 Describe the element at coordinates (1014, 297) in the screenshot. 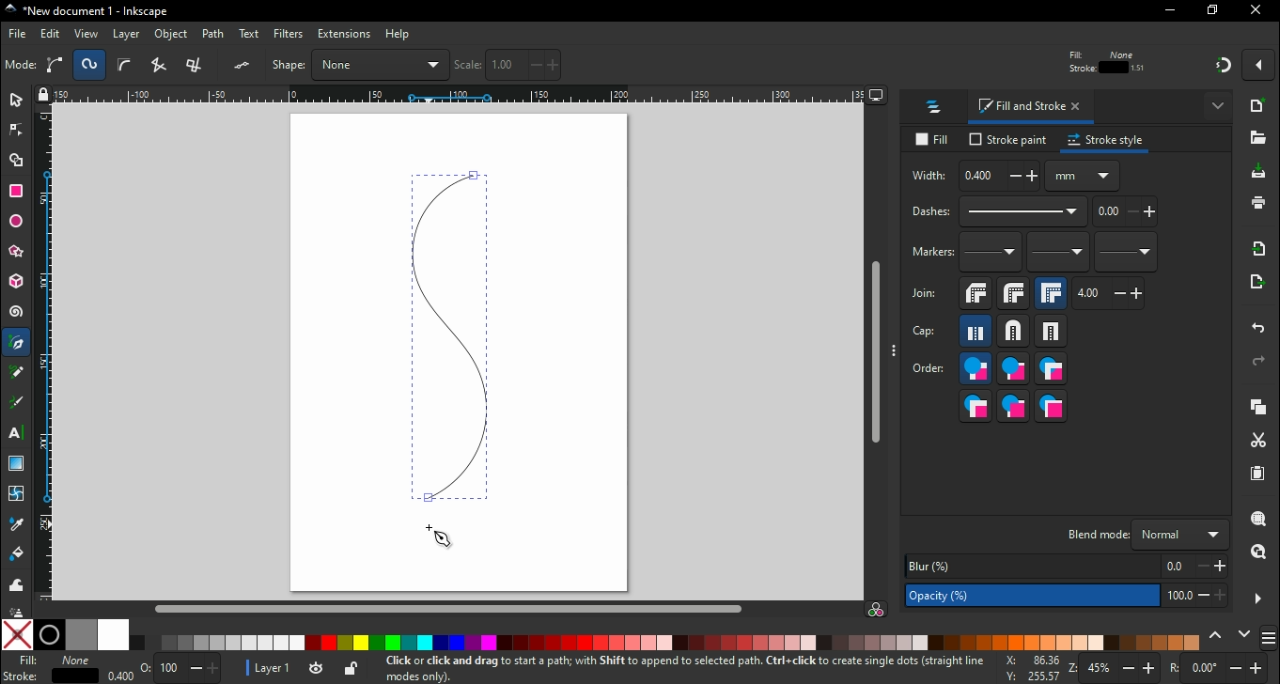

I see `round` at that location.